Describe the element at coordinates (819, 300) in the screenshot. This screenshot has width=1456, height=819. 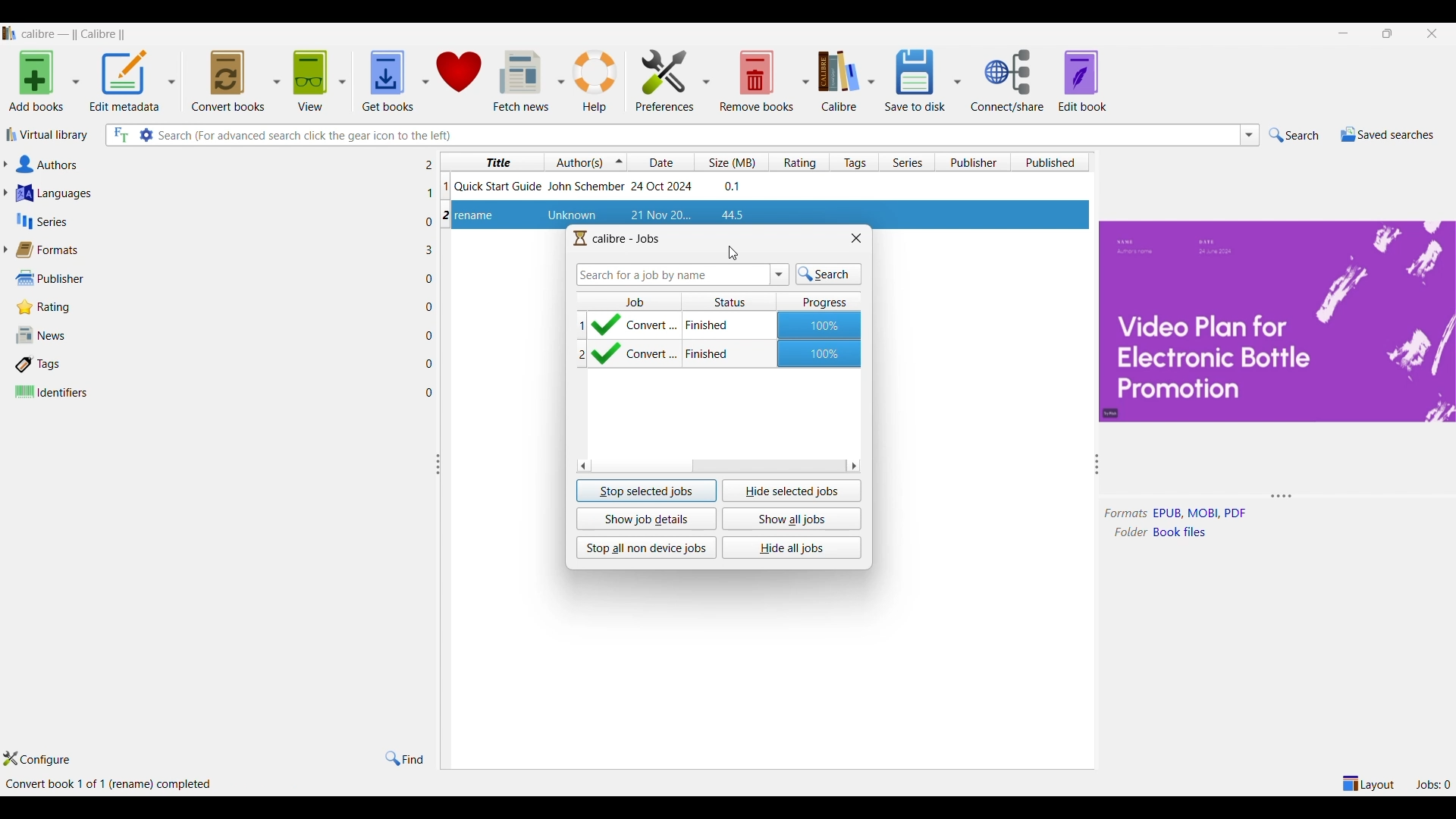
I see `Progress column` at that location.